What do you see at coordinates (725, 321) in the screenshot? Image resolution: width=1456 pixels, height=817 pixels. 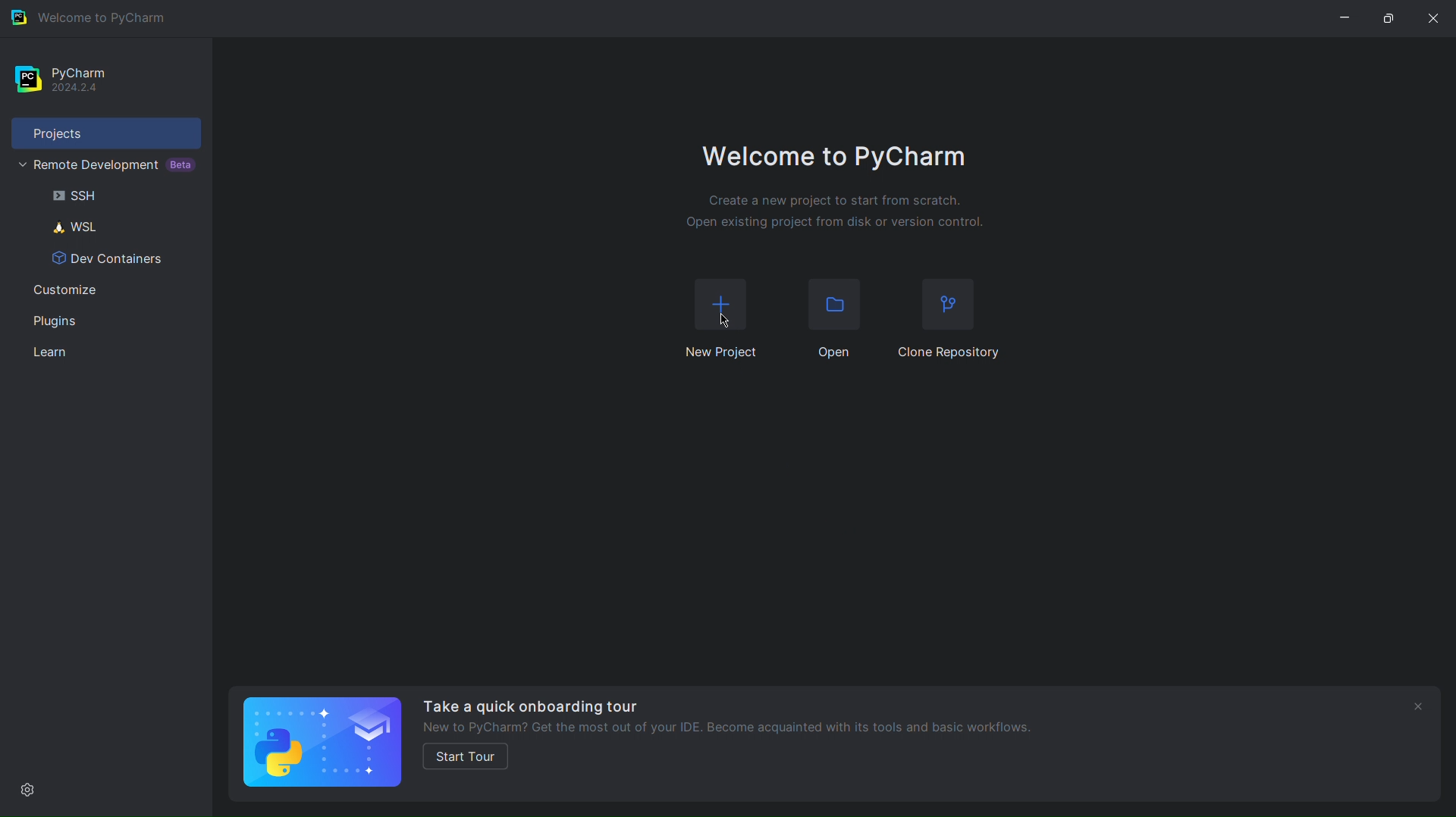 I see `Cursor` at bounding box center [725, 321].